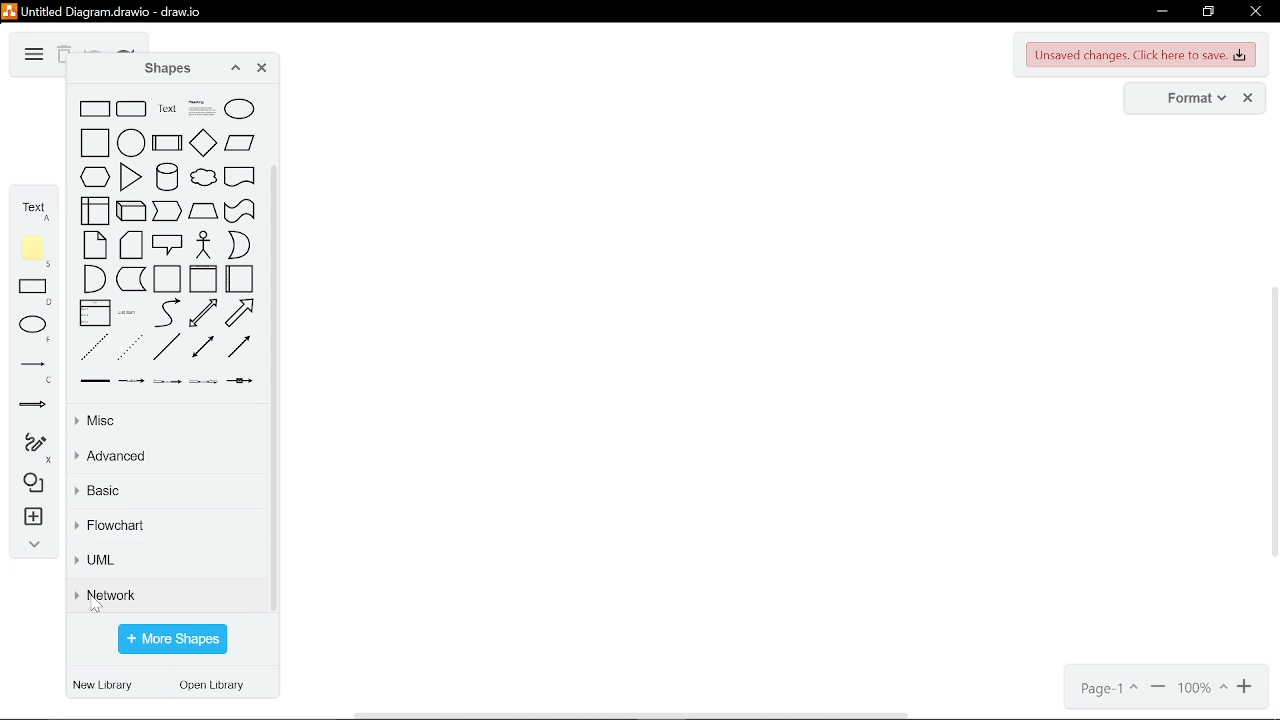 The height and width of the screenshot is (720, 1280). Describe the element at coordinates (95, 109) in the screenshot. I see `rectangle` at that location.